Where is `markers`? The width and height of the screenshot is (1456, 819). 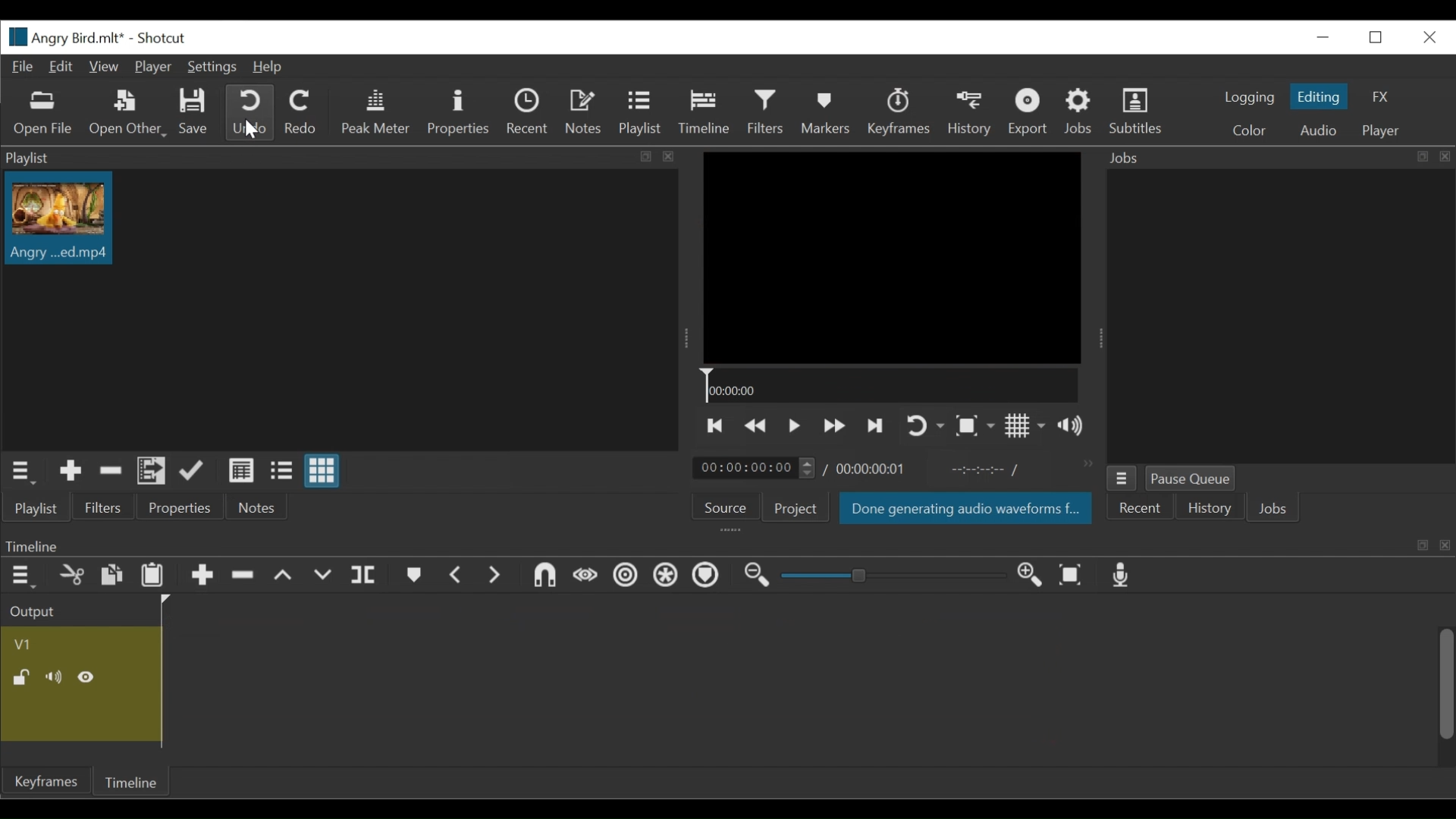 markers is located at coordinates (415, 576).